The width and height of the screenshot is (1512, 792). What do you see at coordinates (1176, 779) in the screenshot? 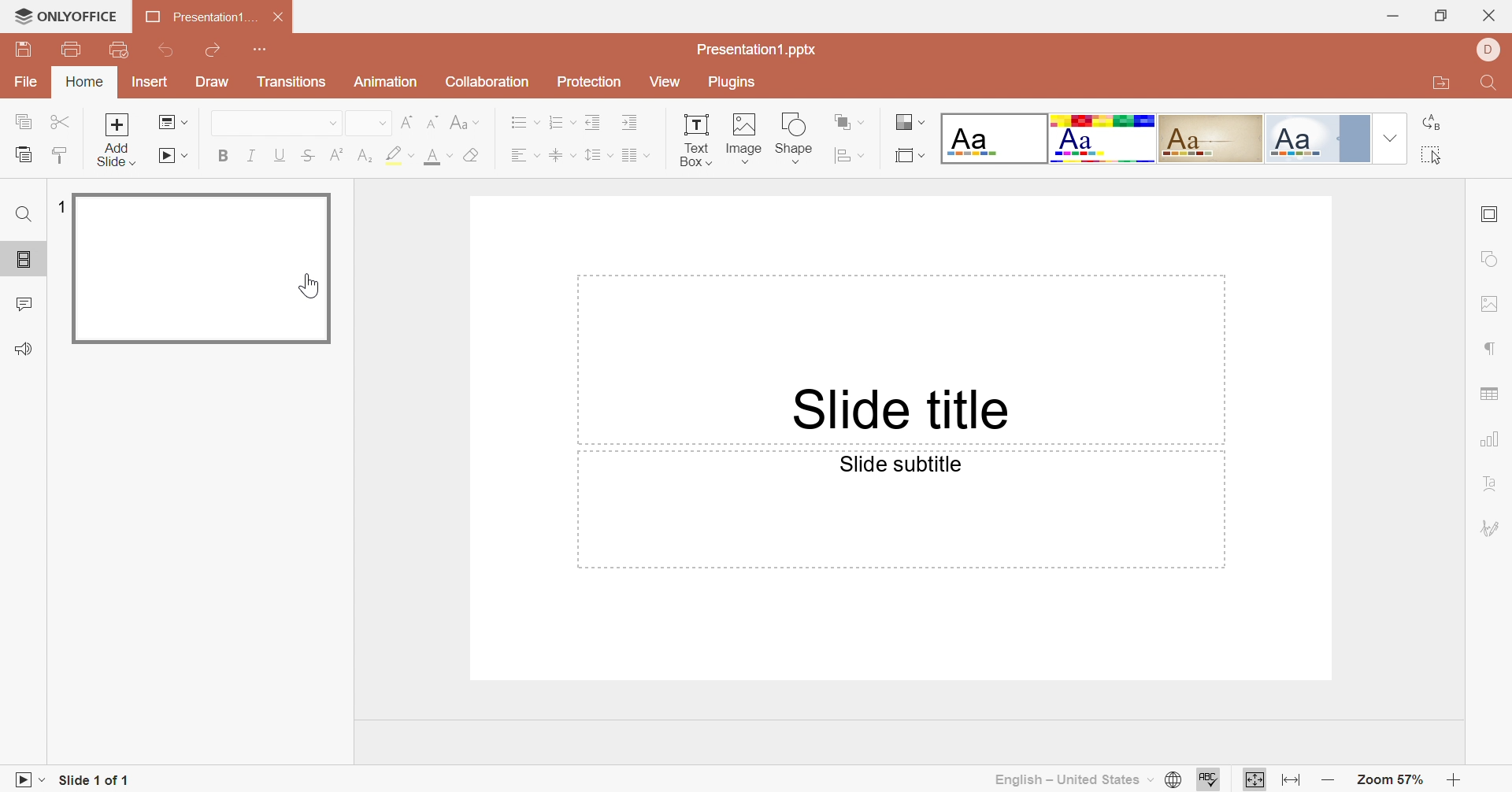
I see `Set document language` at bounding box center [1176, 779].